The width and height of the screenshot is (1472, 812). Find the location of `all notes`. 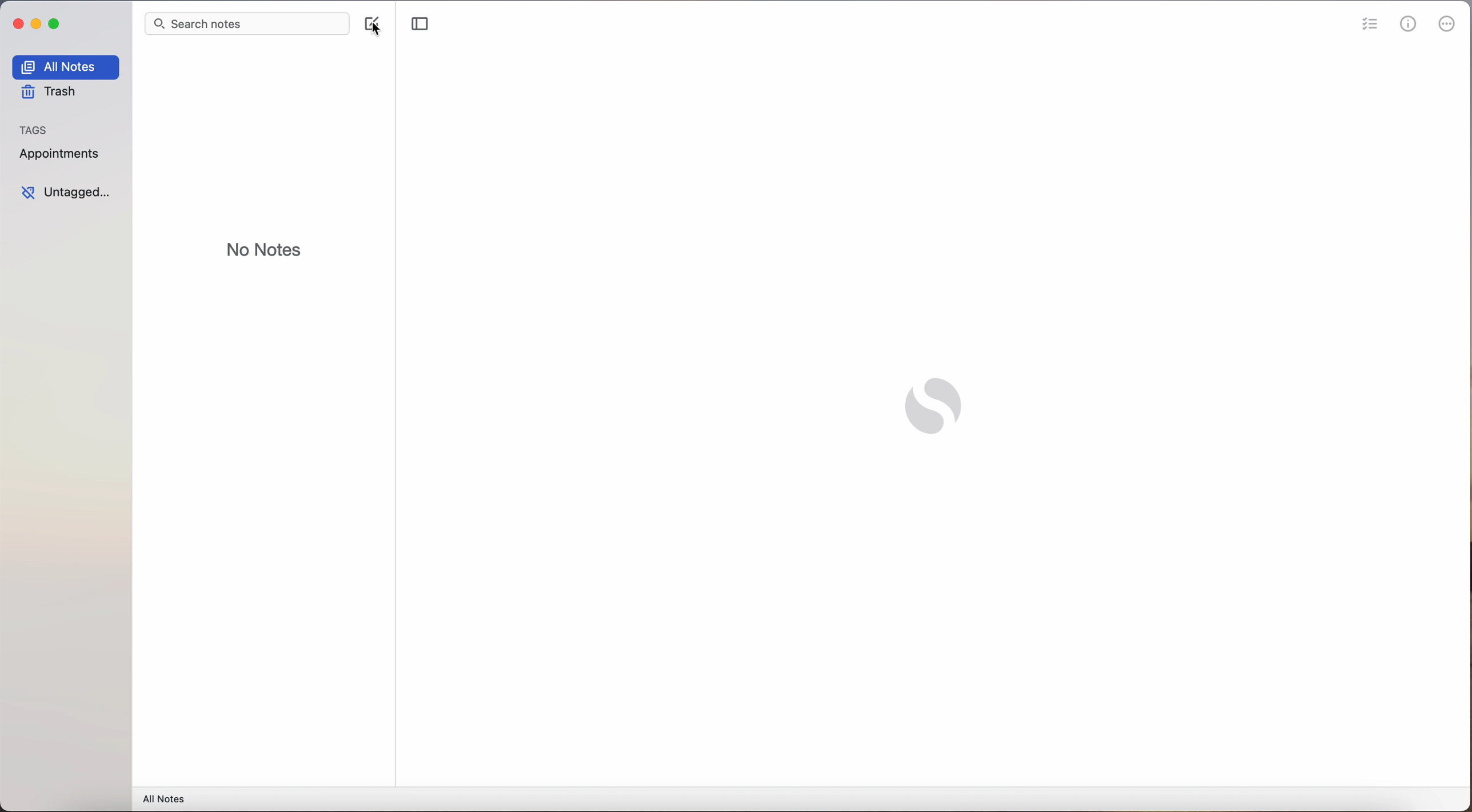

all notes is located at coordinates (67, 65).